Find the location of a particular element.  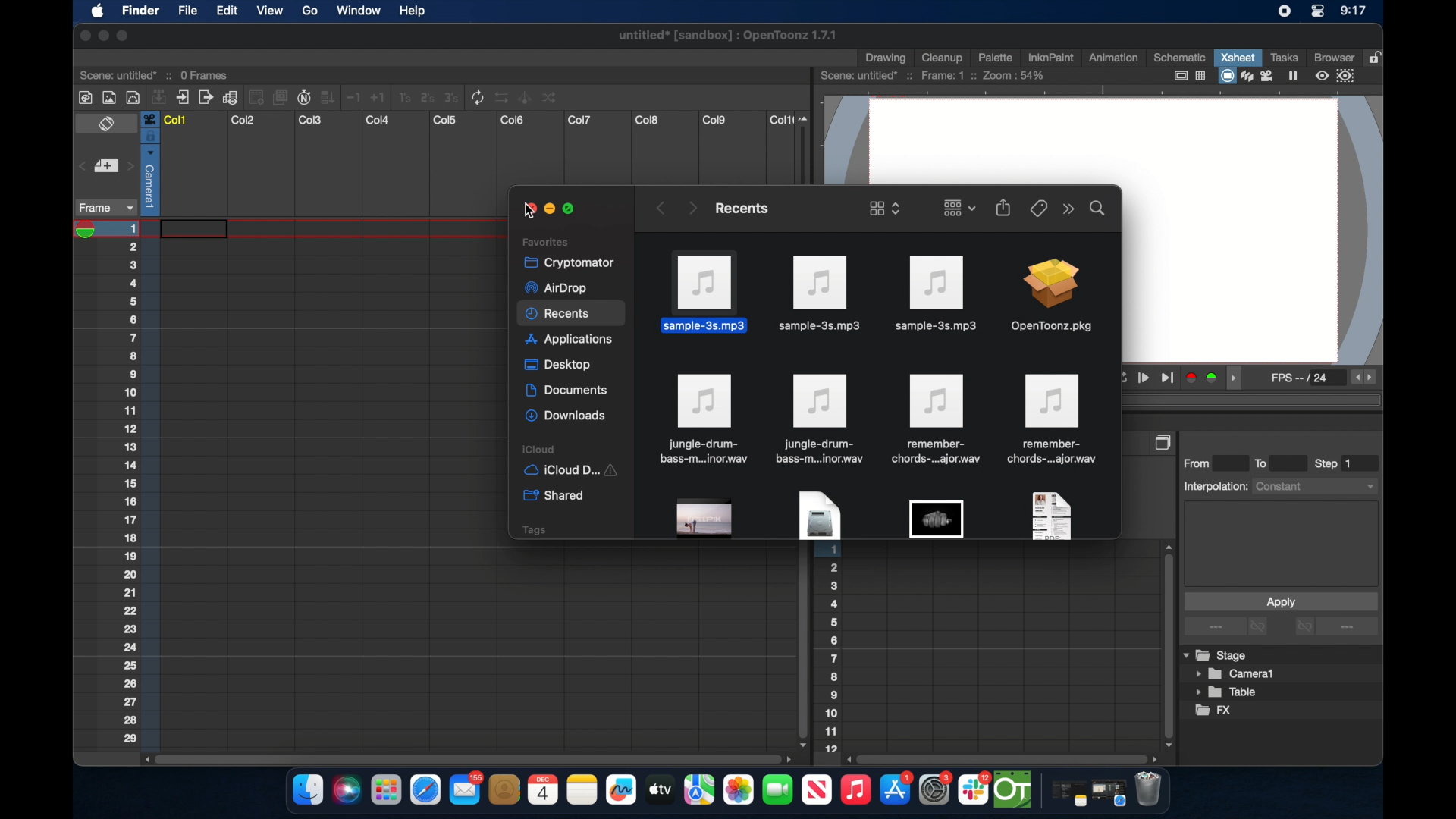

scroll box is located at coordinates (1004, 758).